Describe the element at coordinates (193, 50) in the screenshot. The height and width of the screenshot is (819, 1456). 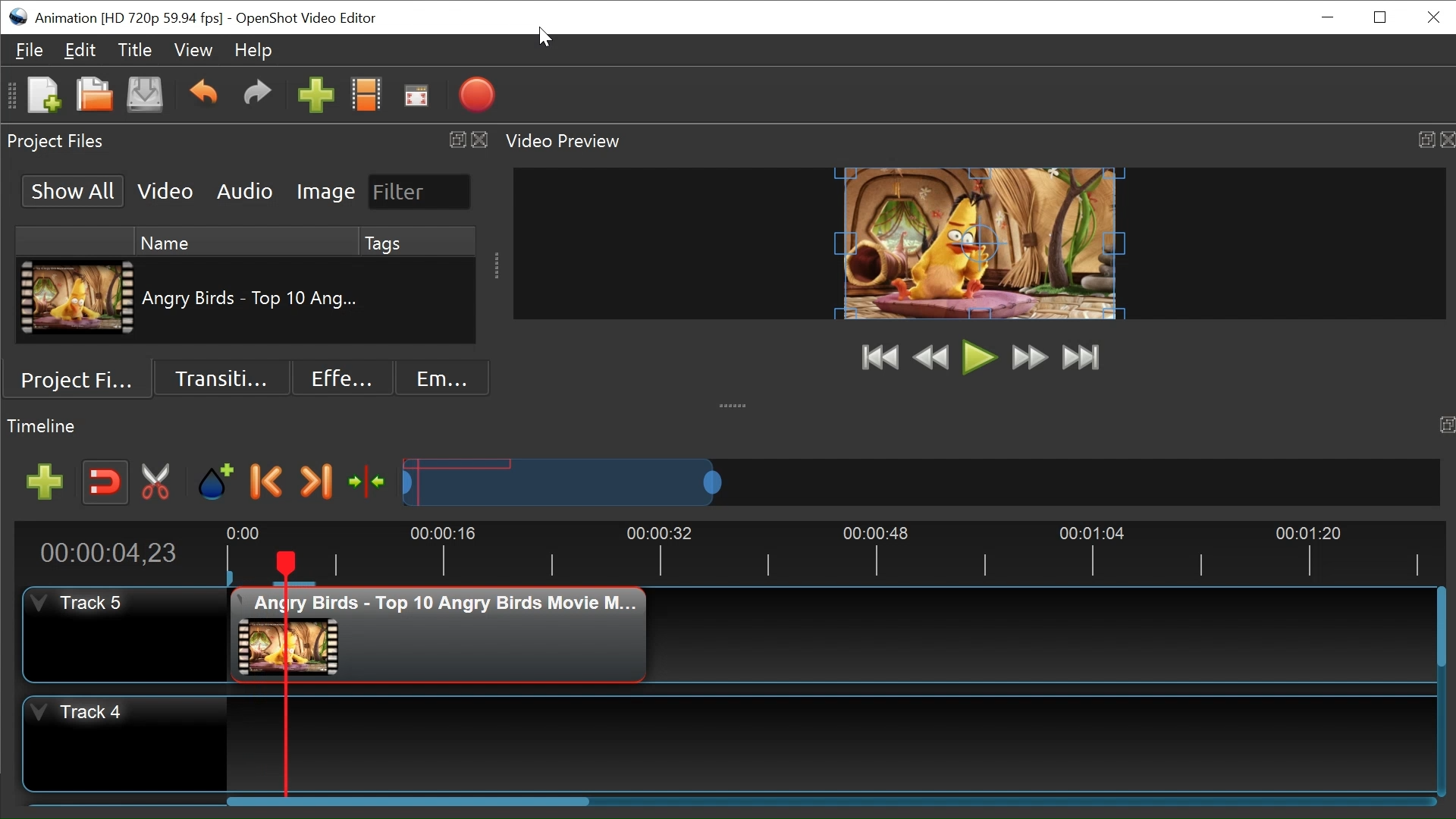
I see `View` at that location.